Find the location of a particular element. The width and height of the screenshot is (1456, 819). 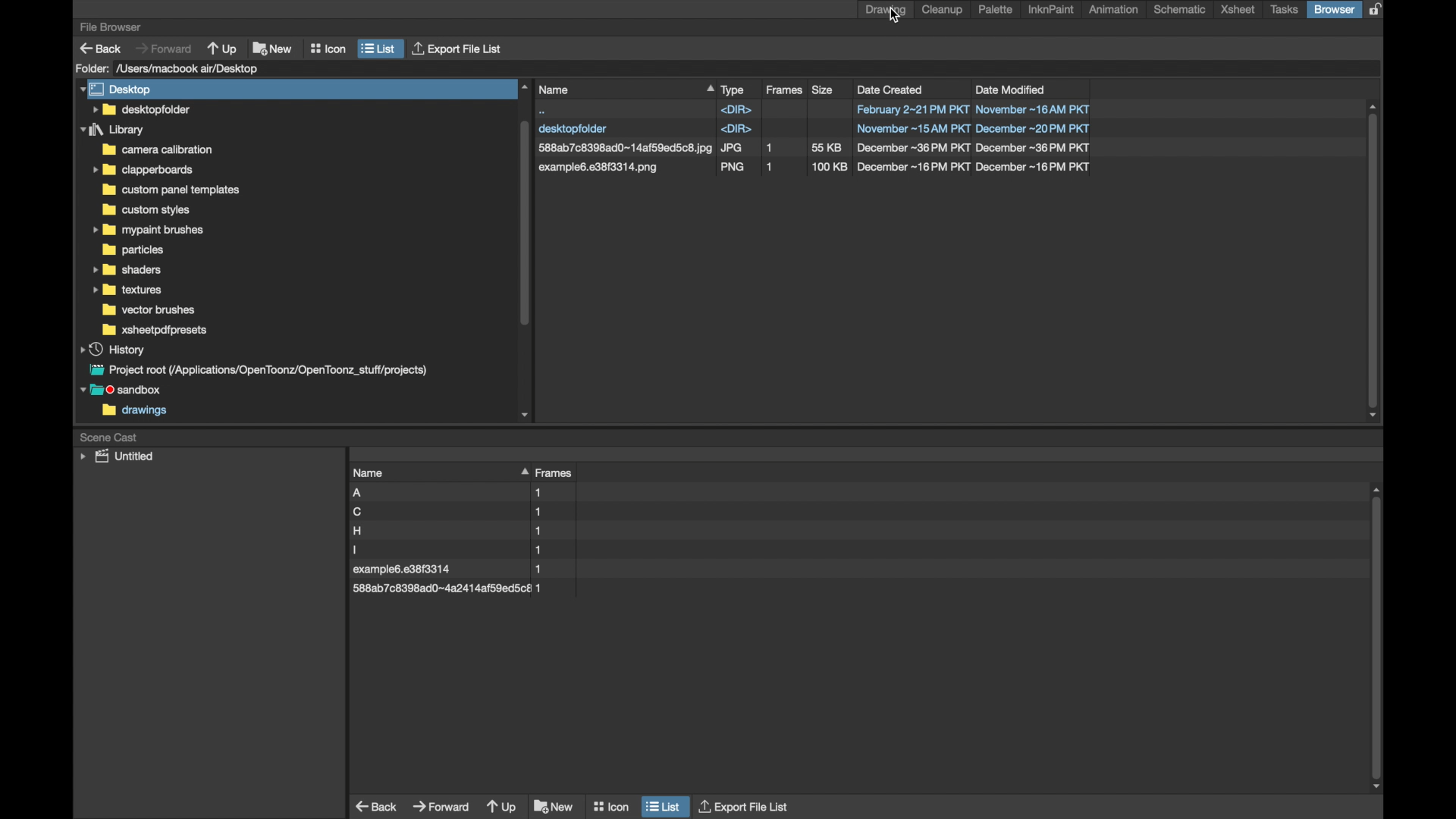

up is located at coordinates (223, 48).